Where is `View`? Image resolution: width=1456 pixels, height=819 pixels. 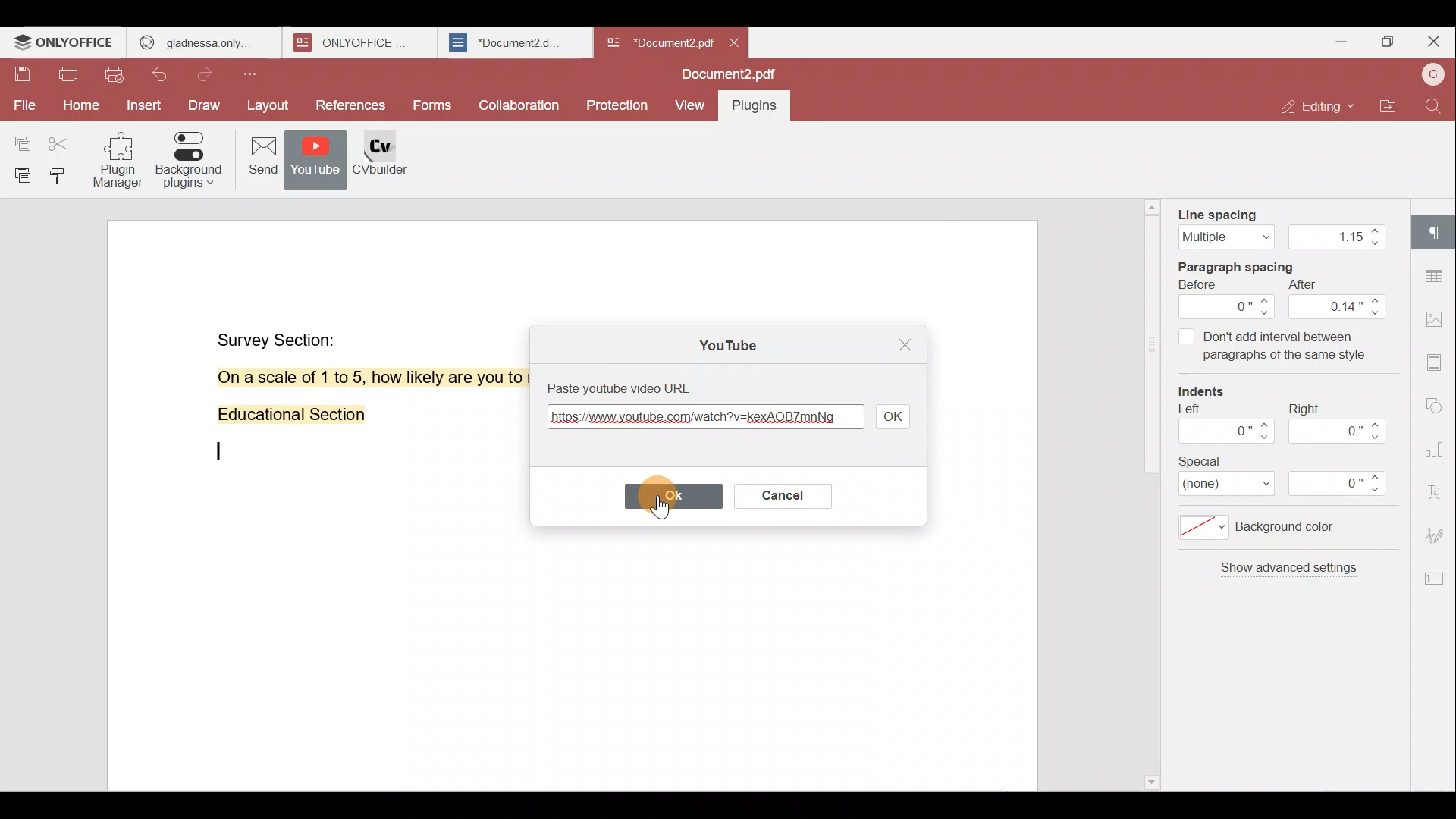
View is located at coordinates (690, 106).